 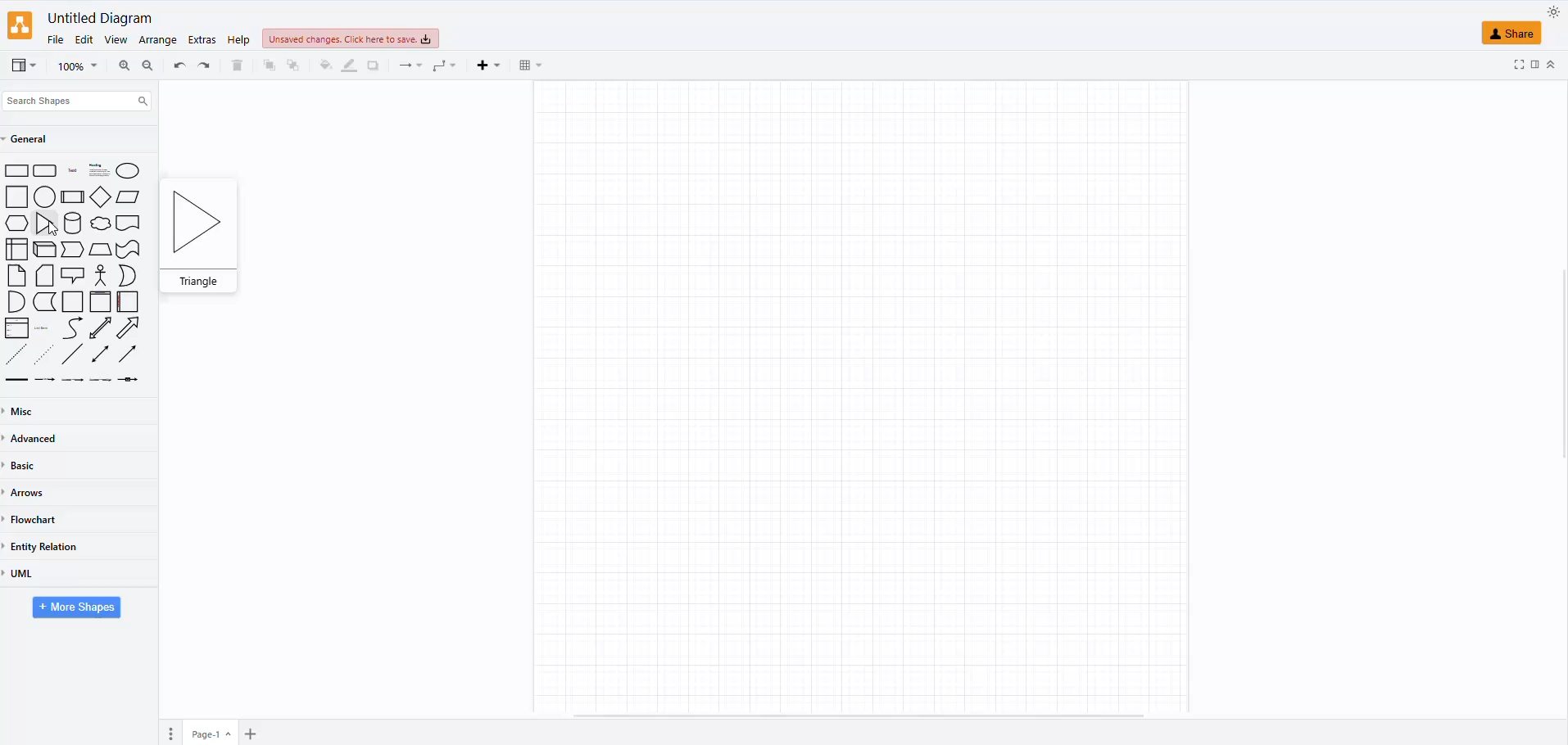 What do you see at coordinates (200, 40) in the screenshot?
I see `extras` at bounding box center [200, 40].